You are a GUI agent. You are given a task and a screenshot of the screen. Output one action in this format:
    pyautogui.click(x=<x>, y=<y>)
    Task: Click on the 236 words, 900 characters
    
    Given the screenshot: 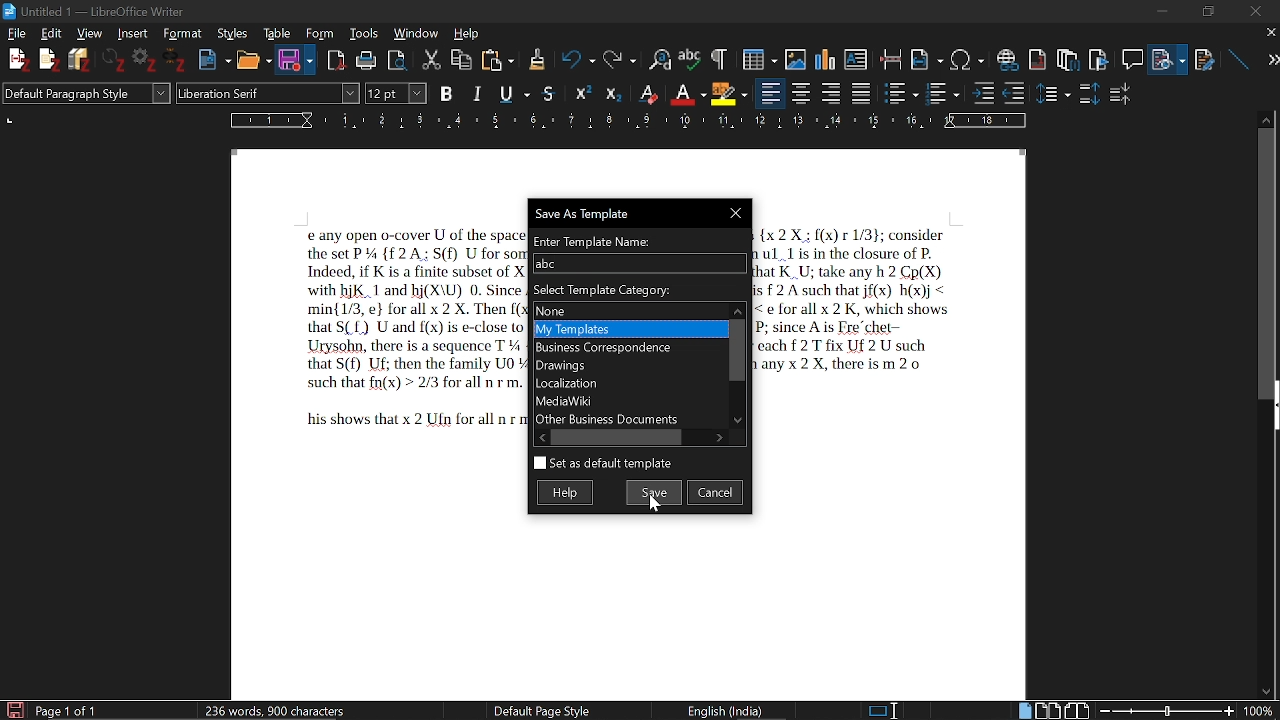 What is the action you would take?
    pyautogui.click(x=276, y=707)
    